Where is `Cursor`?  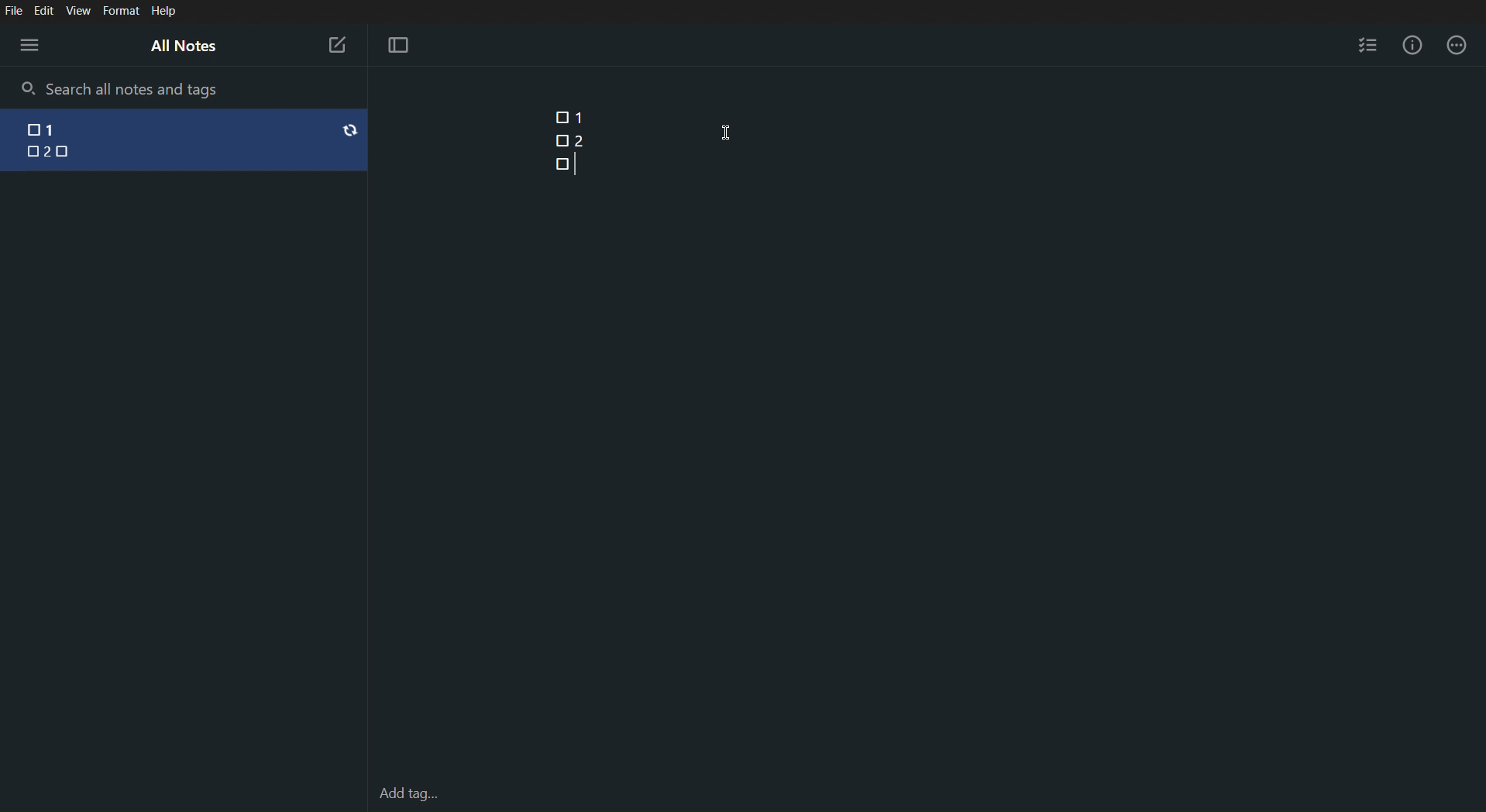 Cursor is located at coordinates (728, 132).